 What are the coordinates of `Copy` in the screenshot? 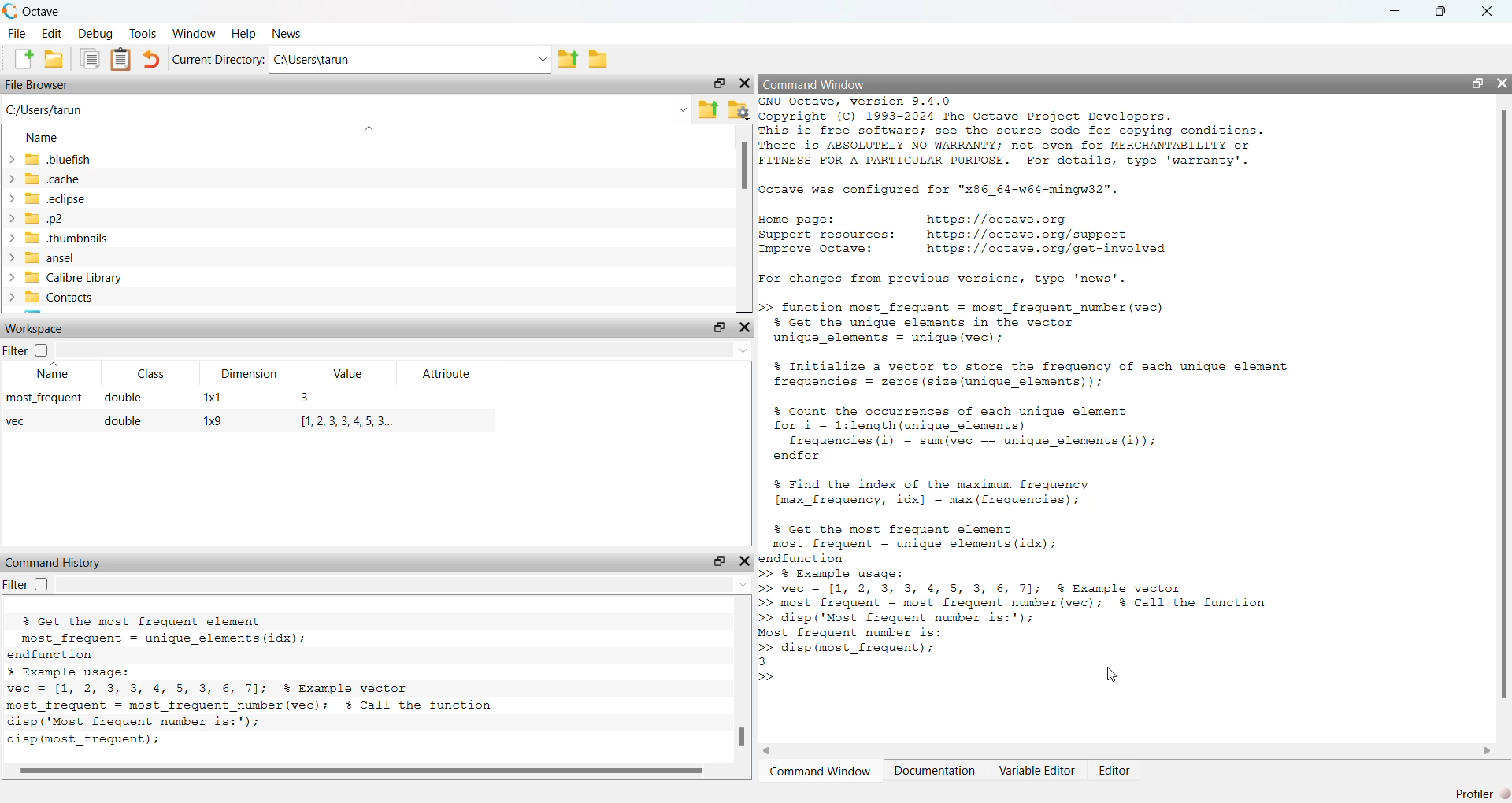 It's located at (89, 59).